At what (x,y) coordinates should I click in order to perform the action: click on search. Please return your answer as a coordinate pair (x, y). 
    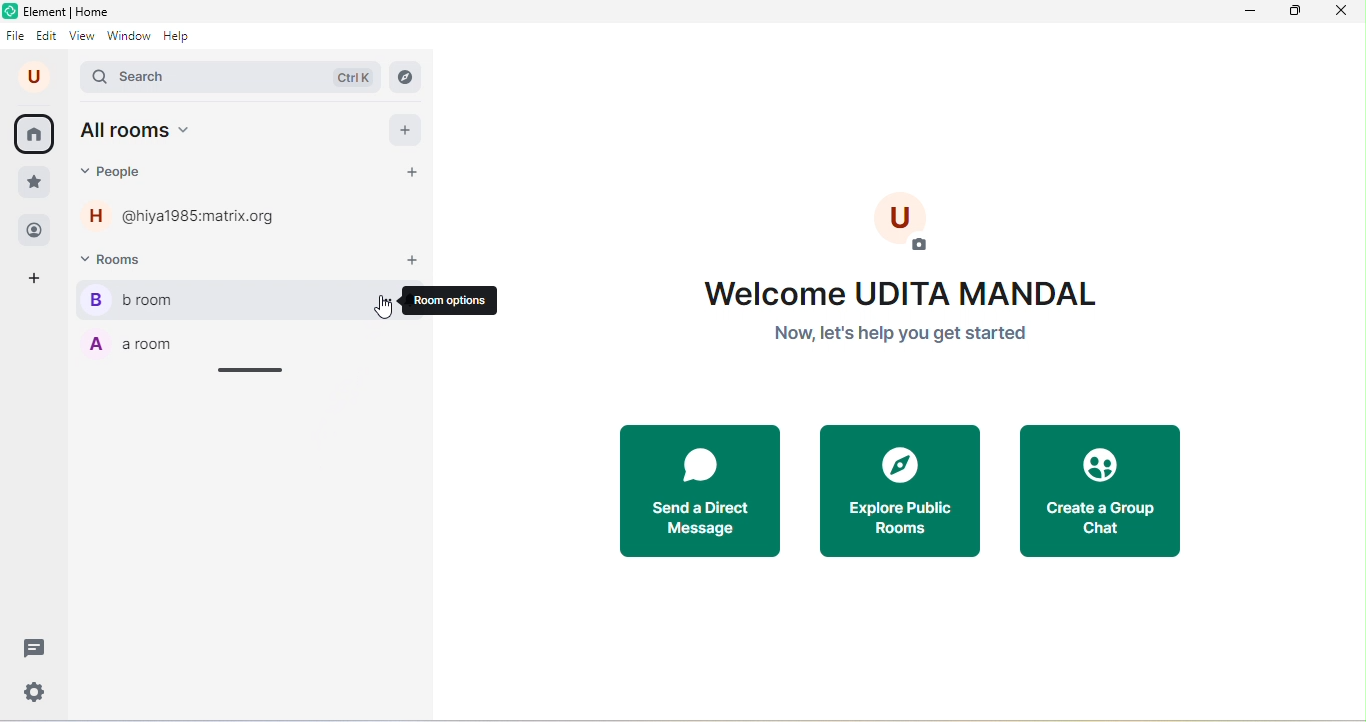
    Looking at the image, I should click on (229, 75).